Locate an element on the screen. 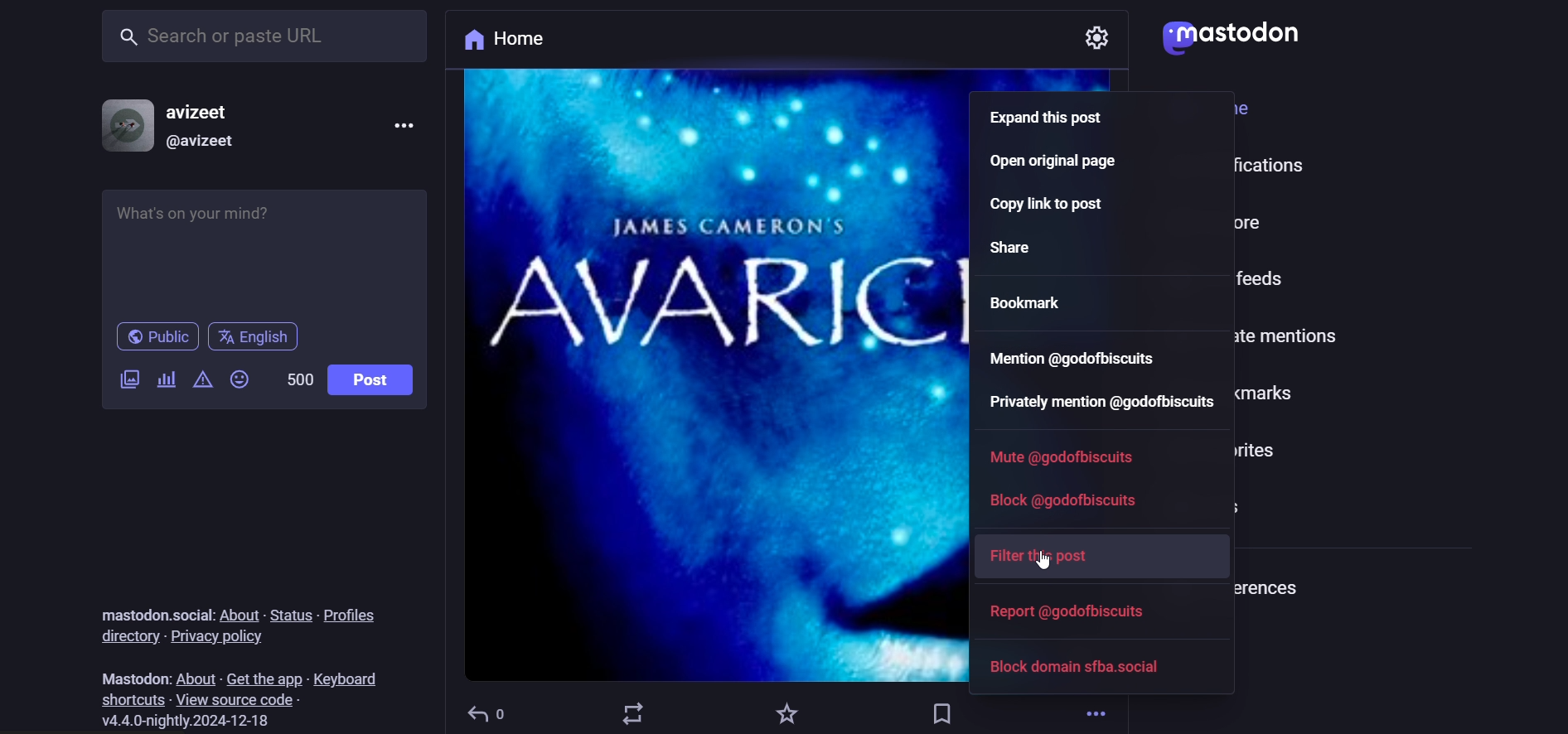 The height and width of the screenshot is (734, 1568). boost is located at coordinates (633, 712).